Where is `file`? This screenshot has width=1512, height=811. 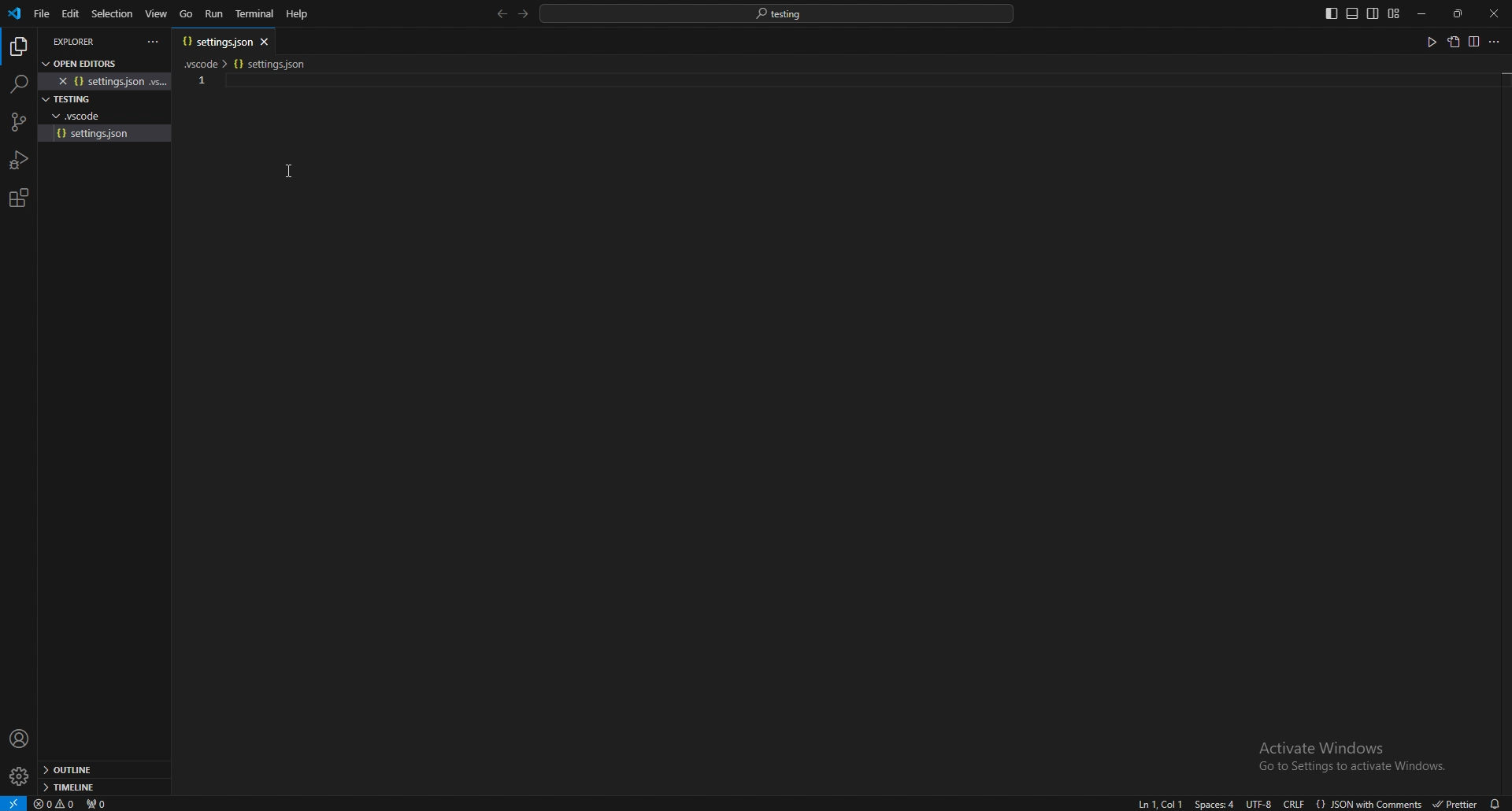 file is located at coordinates (40, 14).